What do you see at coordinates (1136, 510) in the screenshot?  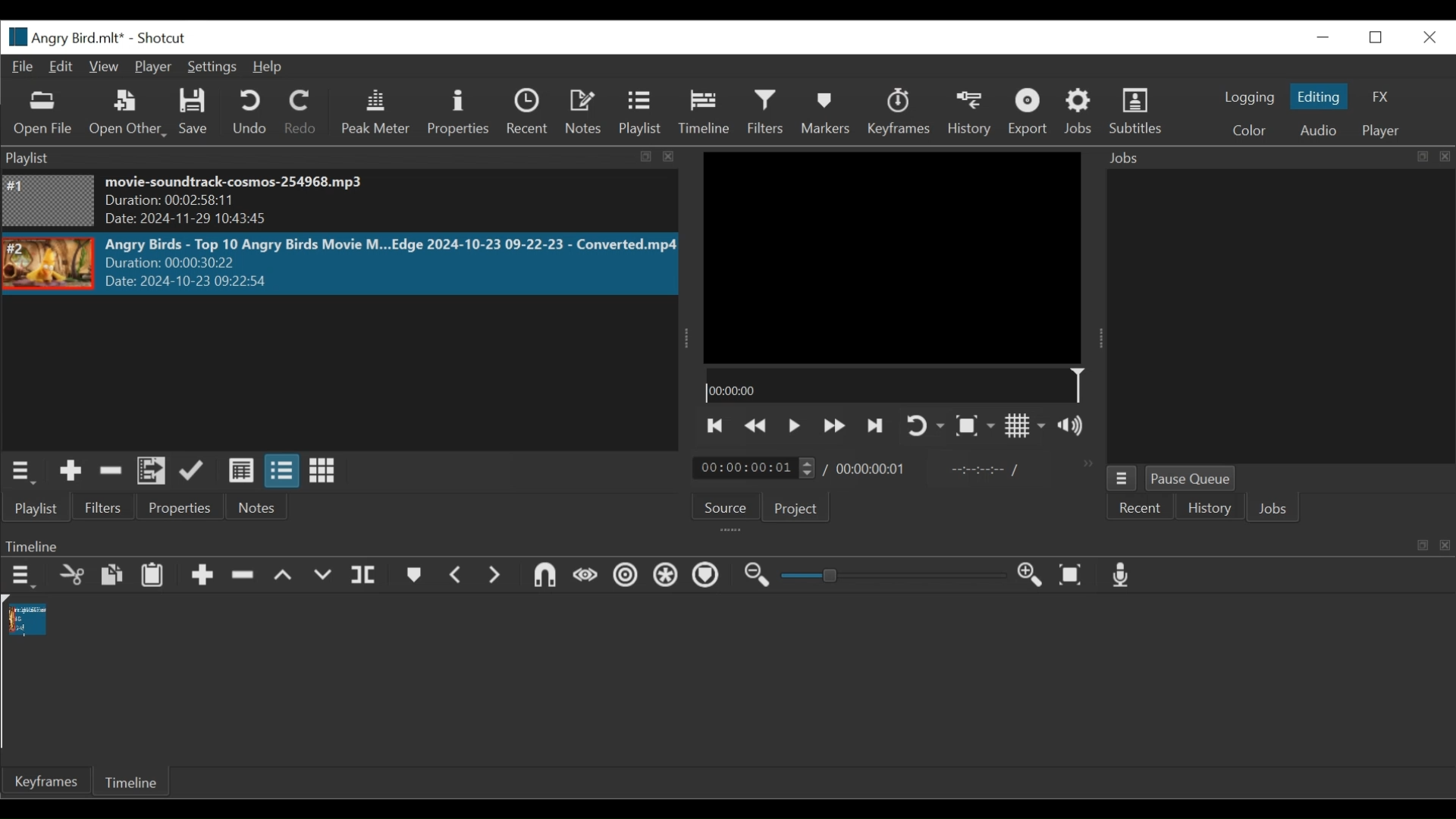 I see `Recent` at bounding box center [1136, 510].